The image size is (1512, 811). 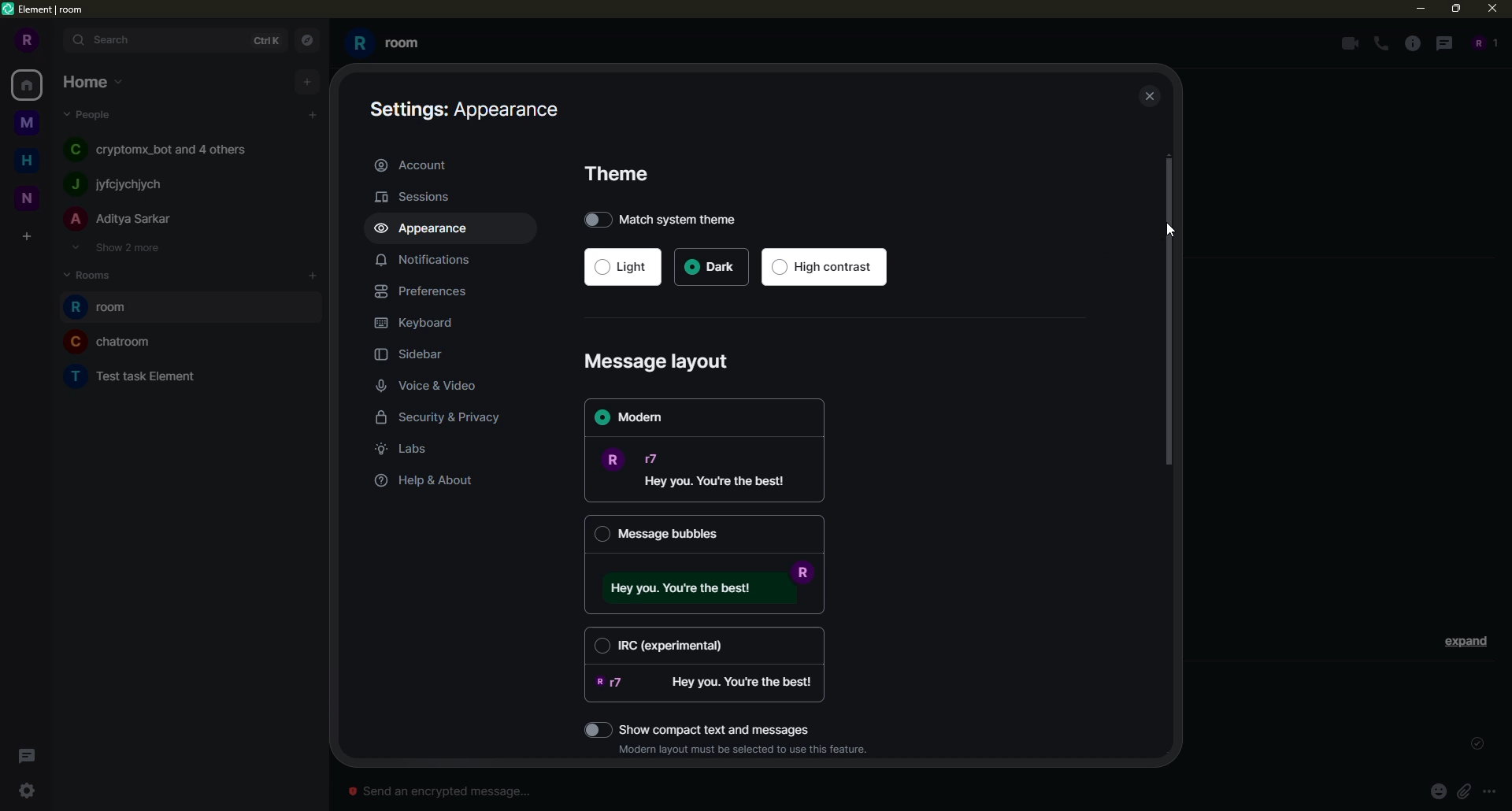 I want to click on enable, so click(x=597, y=729).